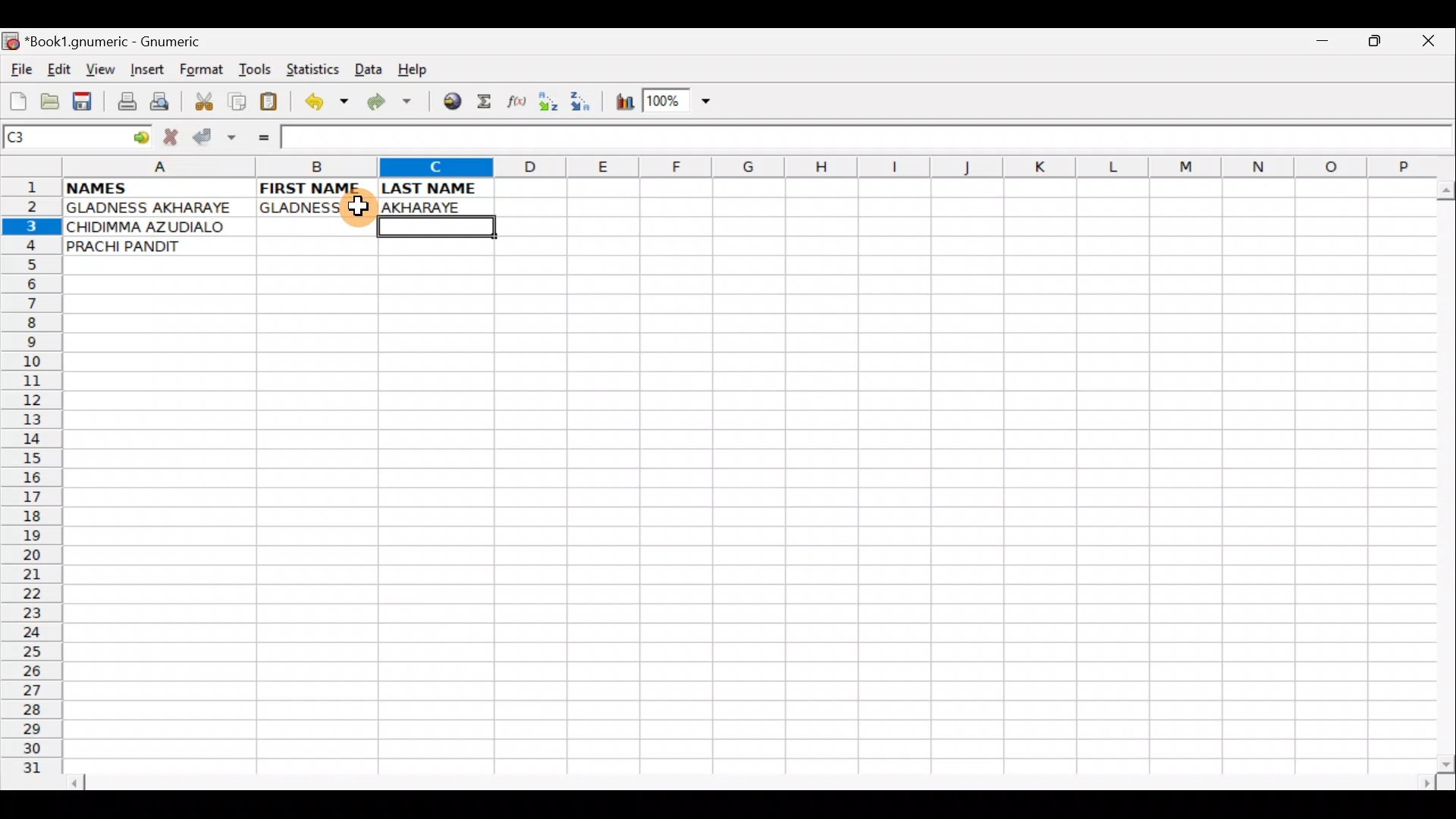 The width and height of the screenshot is (1456, 819). Describe the element at coordinates (679, 103) in the screenshot. I see `Zoom` at that location.